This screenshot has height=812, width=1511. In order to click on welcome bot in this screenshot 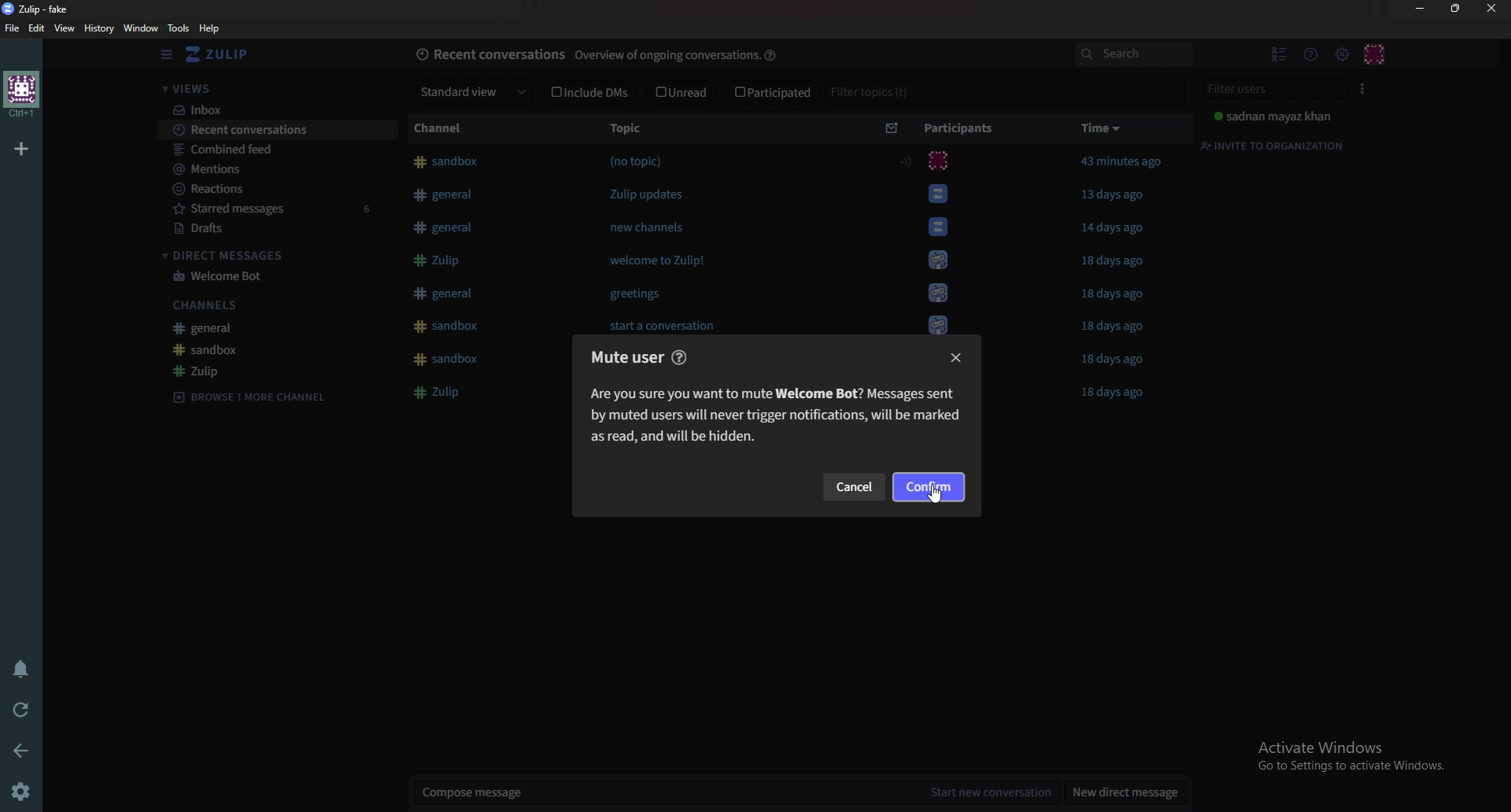, I will do `click(273, 276)`.